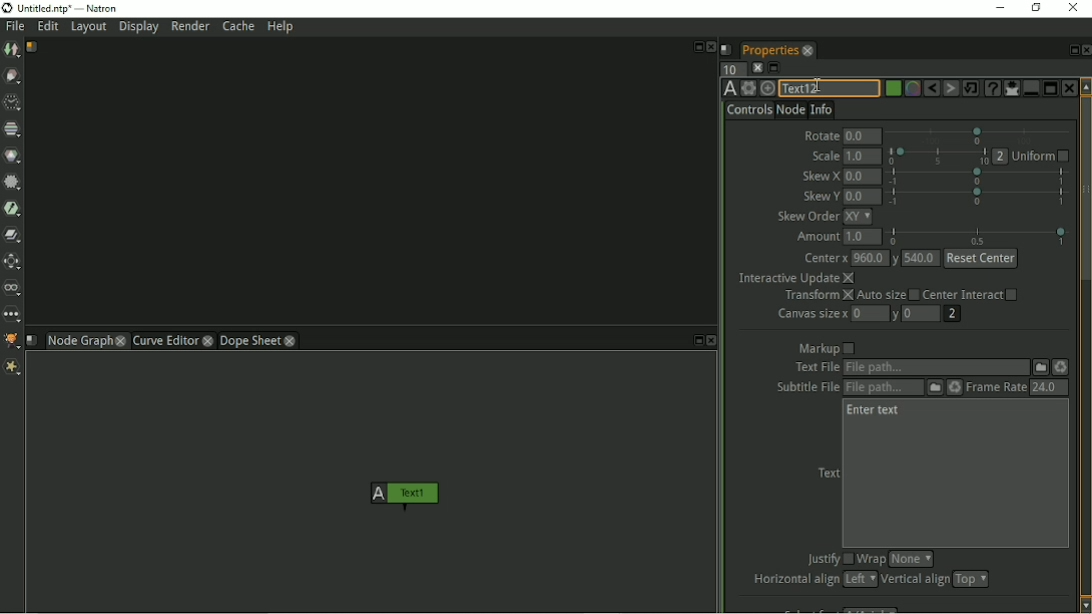 The width and height of the screenshot is (1092, 614). Describe the element at coordinates (980, 196) in the screenshot. I see `selection bar` at that location.